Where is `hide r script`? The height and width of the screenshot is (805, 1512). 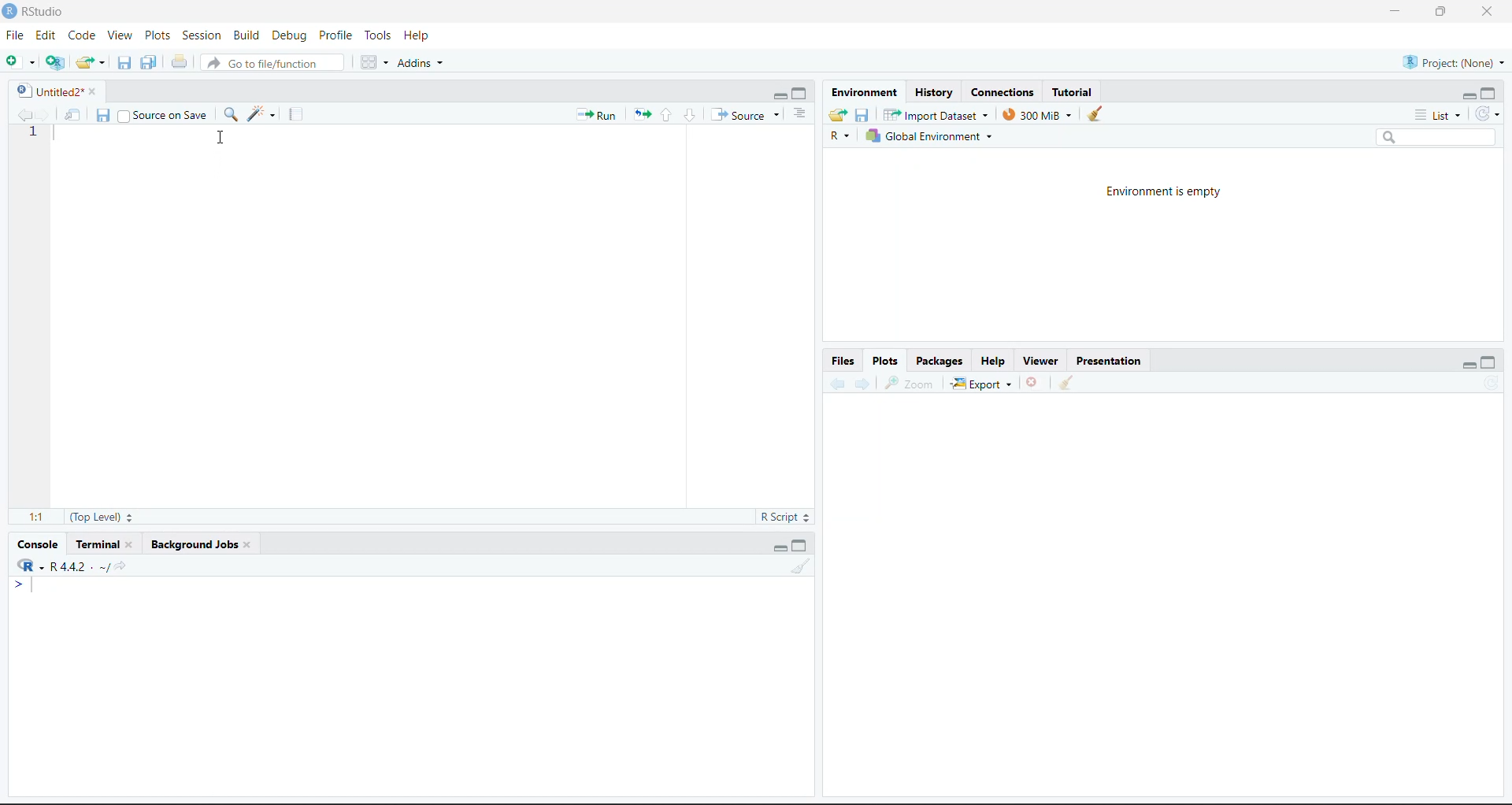
hide r script is located at coordinates (776, 546).